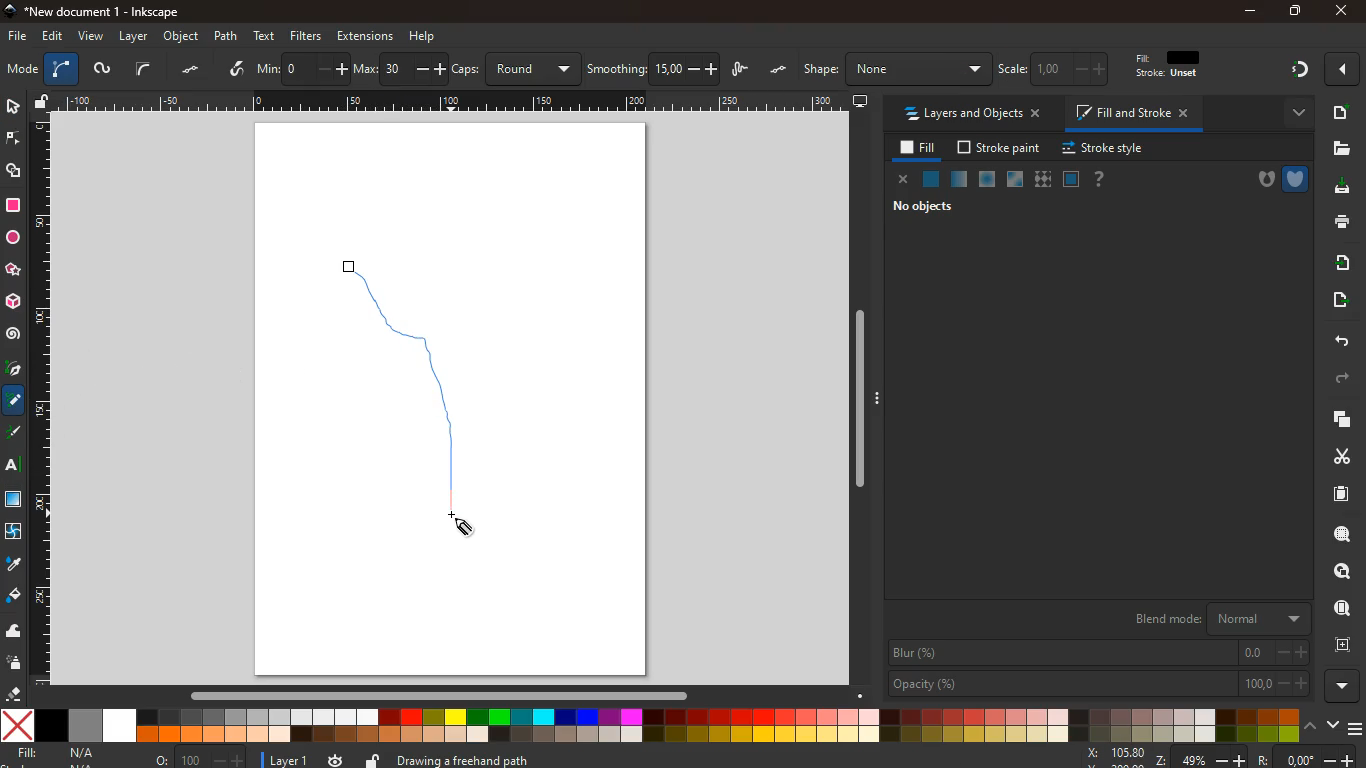  What do you see at coordinates (862, 399) in the screenshot?
I see `Vertical slider` at bounding box center [862, 399].